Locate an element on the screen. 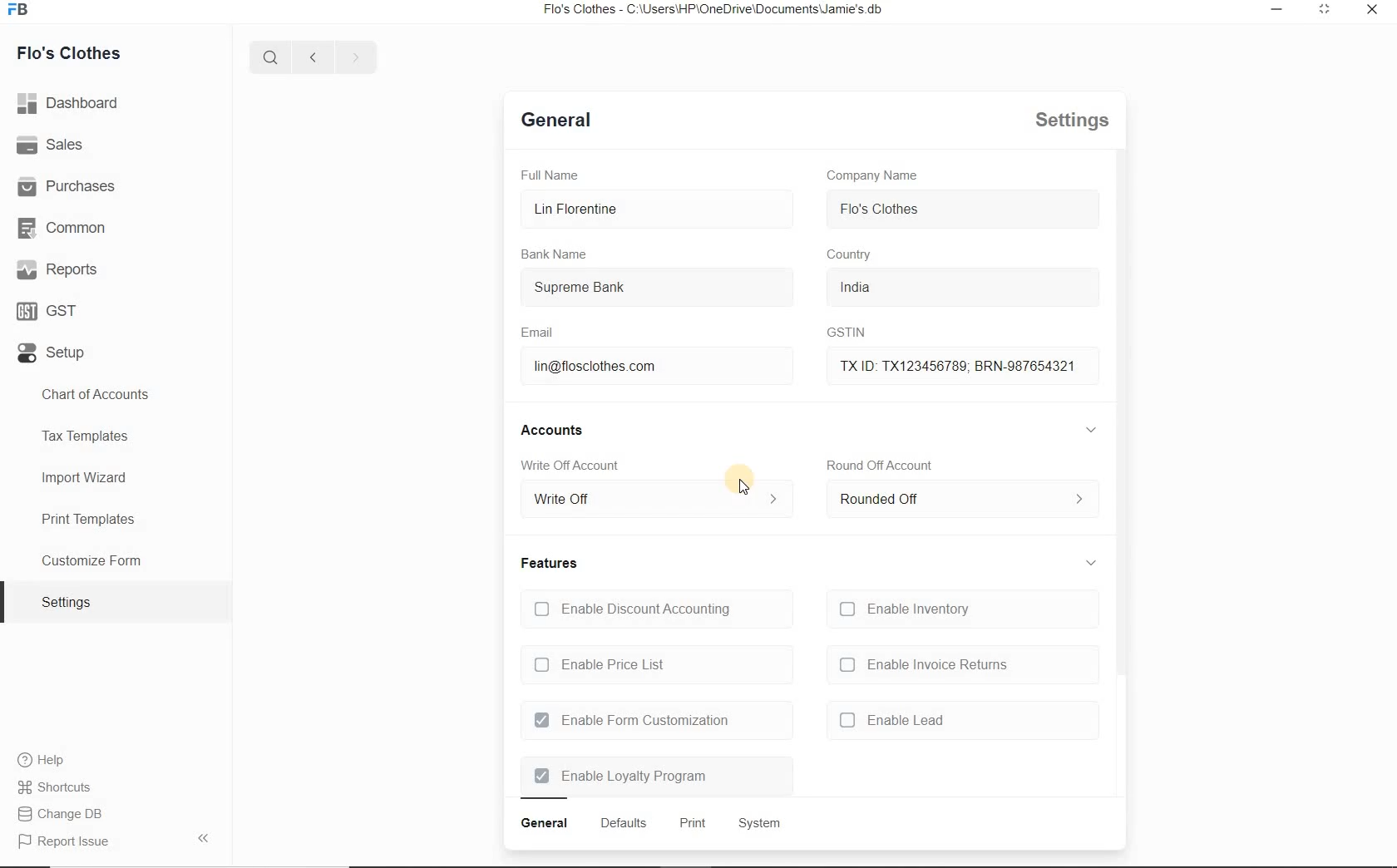 This screenshot has width=1397, height=868. Purchases is located at coordinates (75, 187).